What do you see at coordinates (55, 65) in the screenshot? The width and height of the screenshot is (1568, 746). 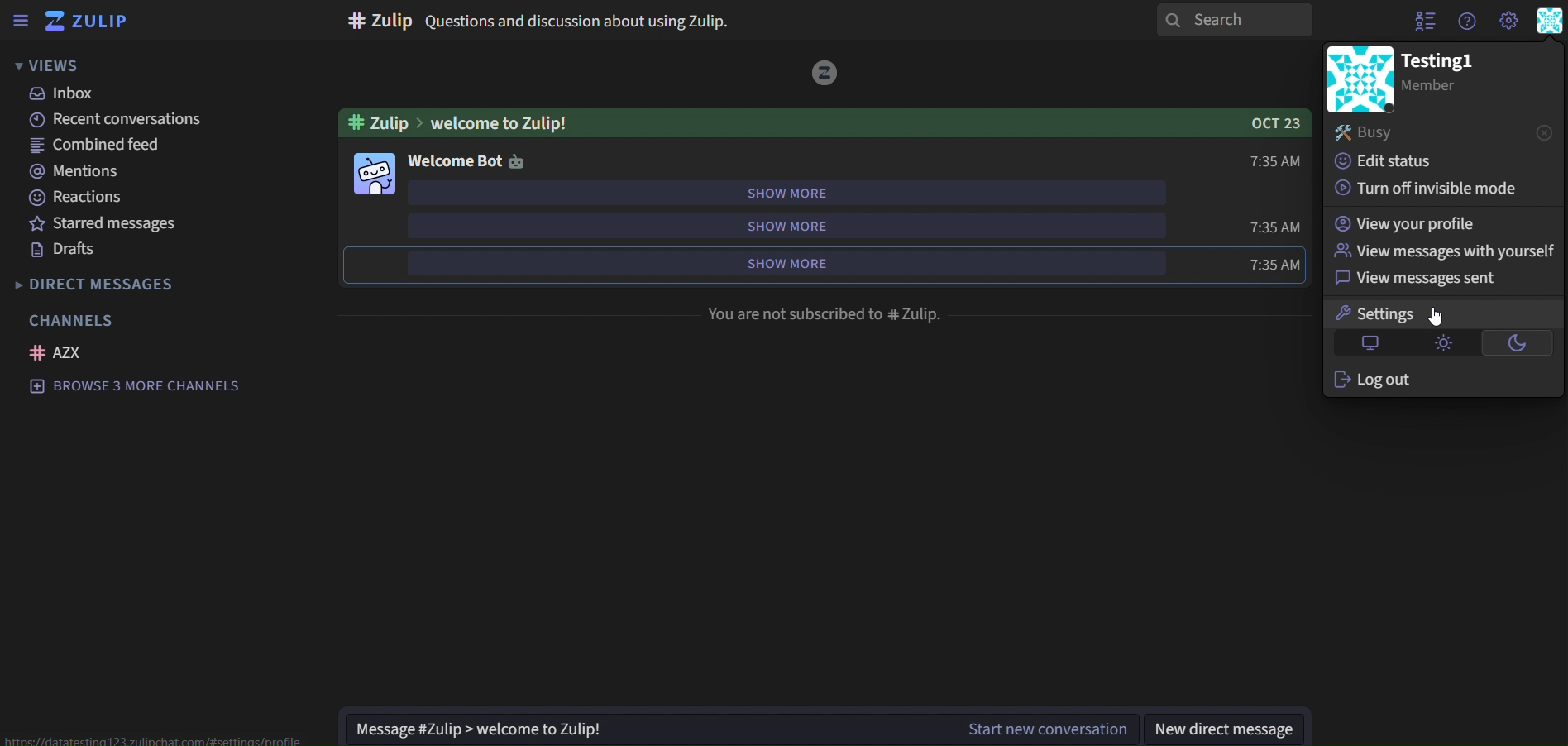 I see `views` at bounding box center [55, 65].